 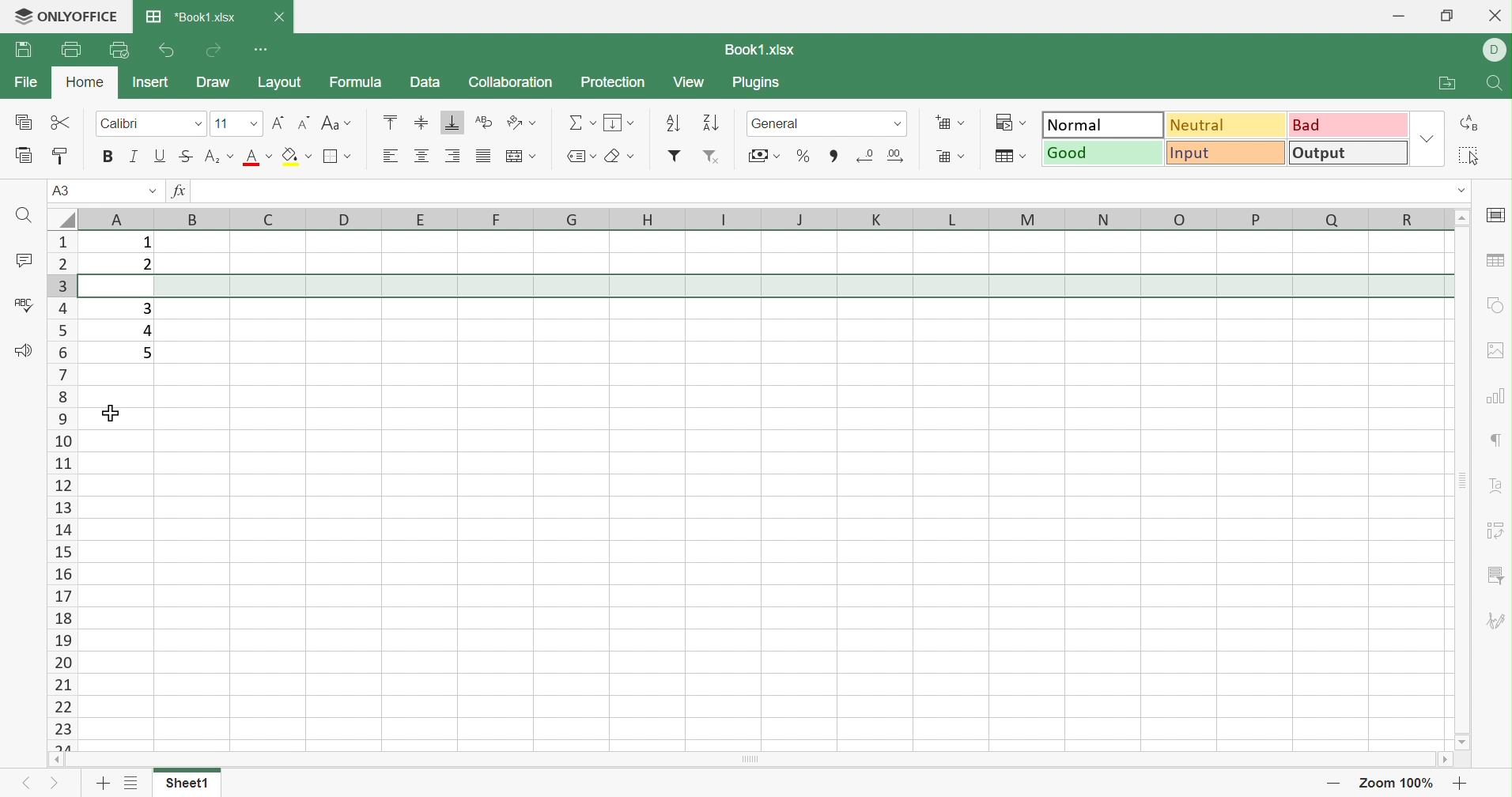 What do you see at coordinates (255, 123) in the screenshot?
I see `Drop Down` at bounding box center [255, 123].